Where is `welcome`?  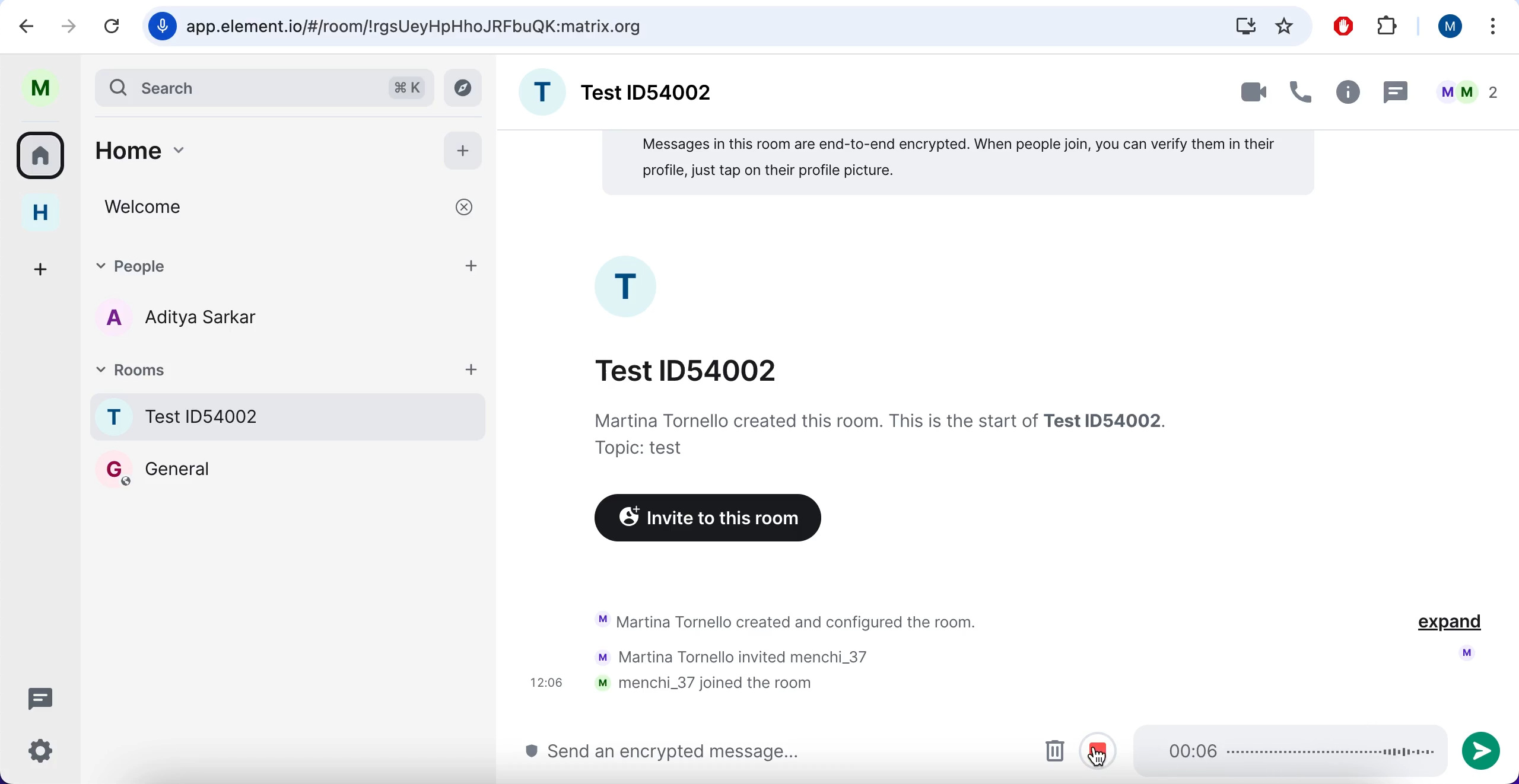
welcome is located at coordinates (287, 208).